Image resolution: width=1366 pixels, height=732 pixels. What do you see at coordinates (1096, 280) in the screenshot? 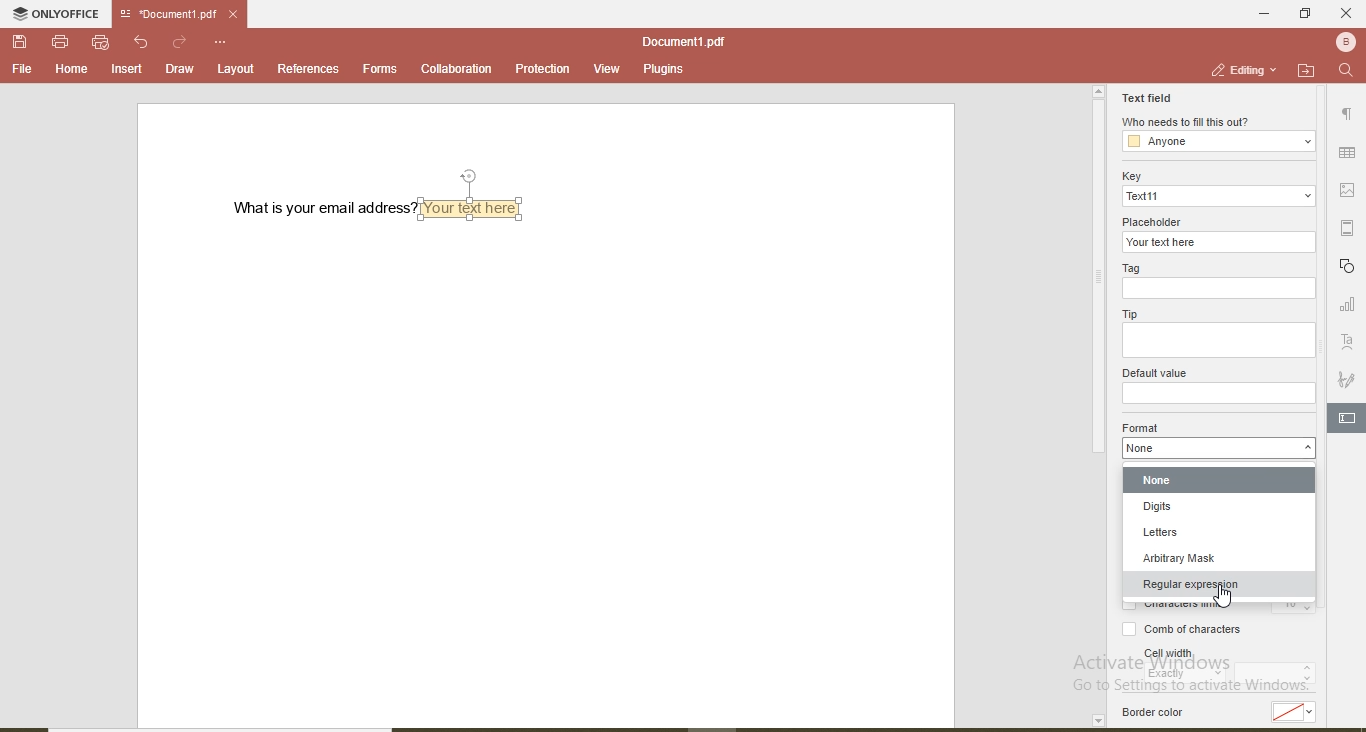
I see `vertical scroll bar` at bounding box center [1096, 280].